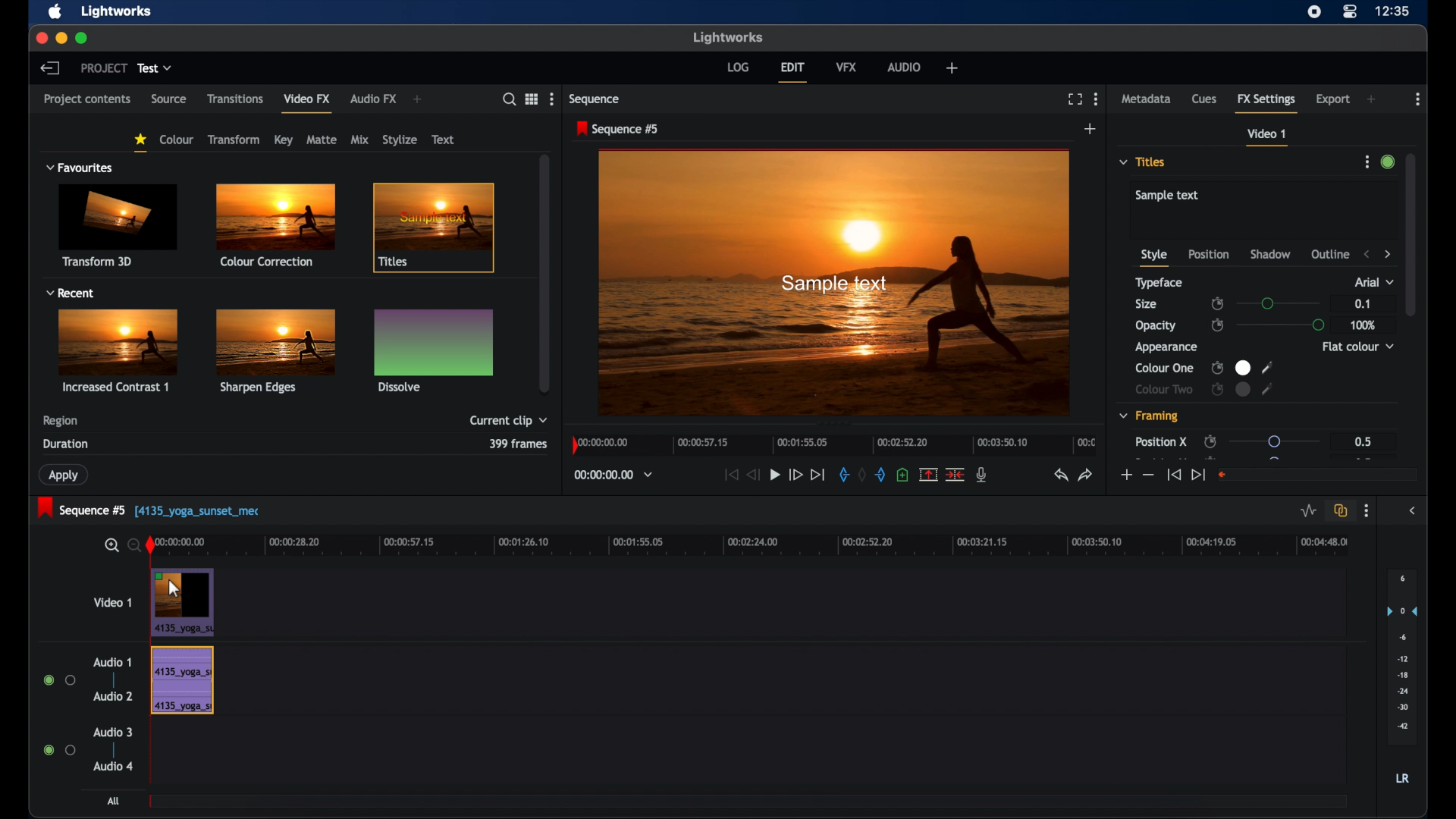 This screenshot has width=1456, height=819. What do you see at coordinates (235, 140) in the screenshot?
I see `transform` at bounding box center [235, 140].